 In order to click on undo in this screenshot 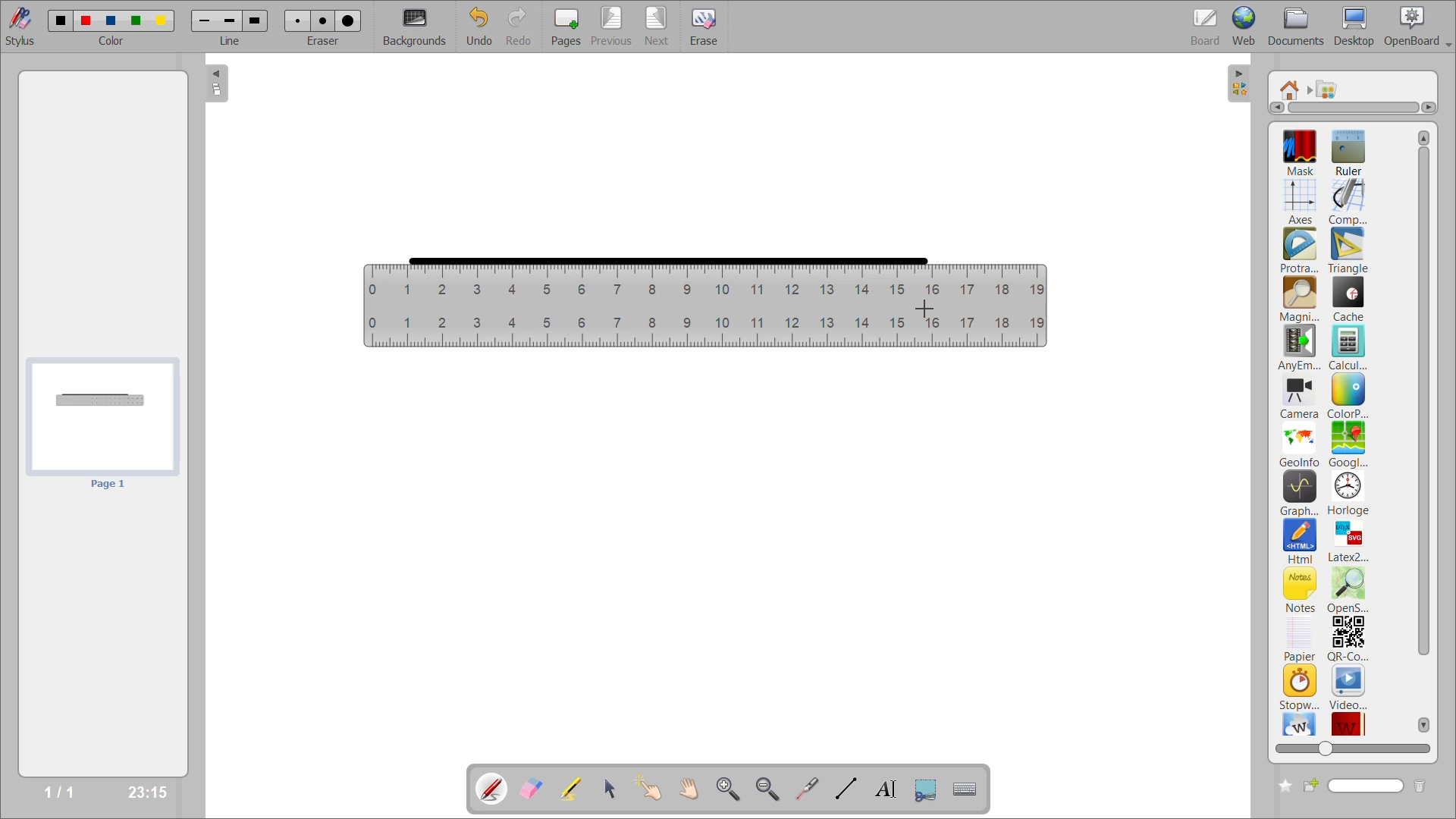, I will do `click(481, 25)`.